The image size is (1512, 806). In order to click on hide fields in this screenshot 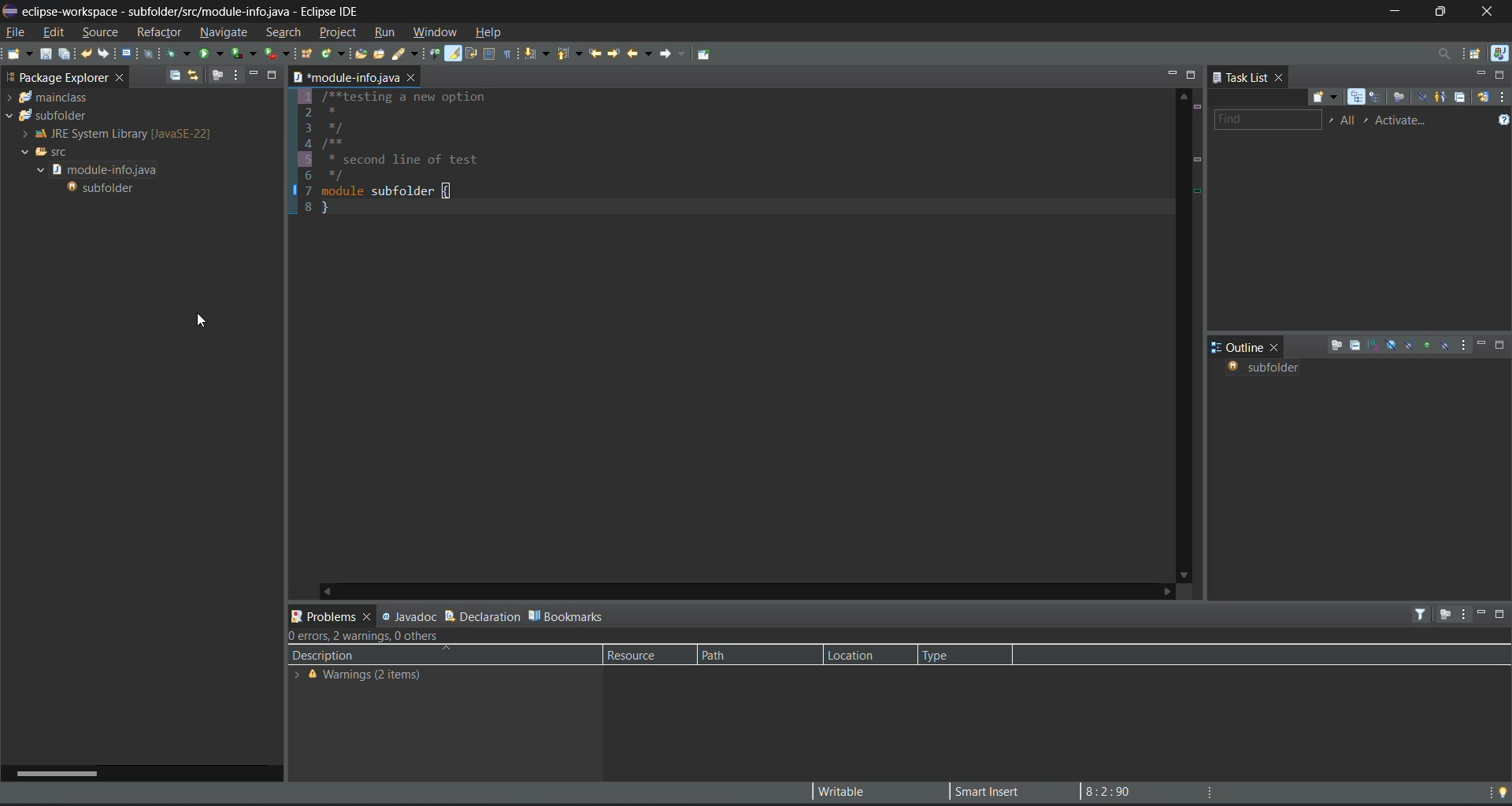, I will do `click(1392, 344)`.